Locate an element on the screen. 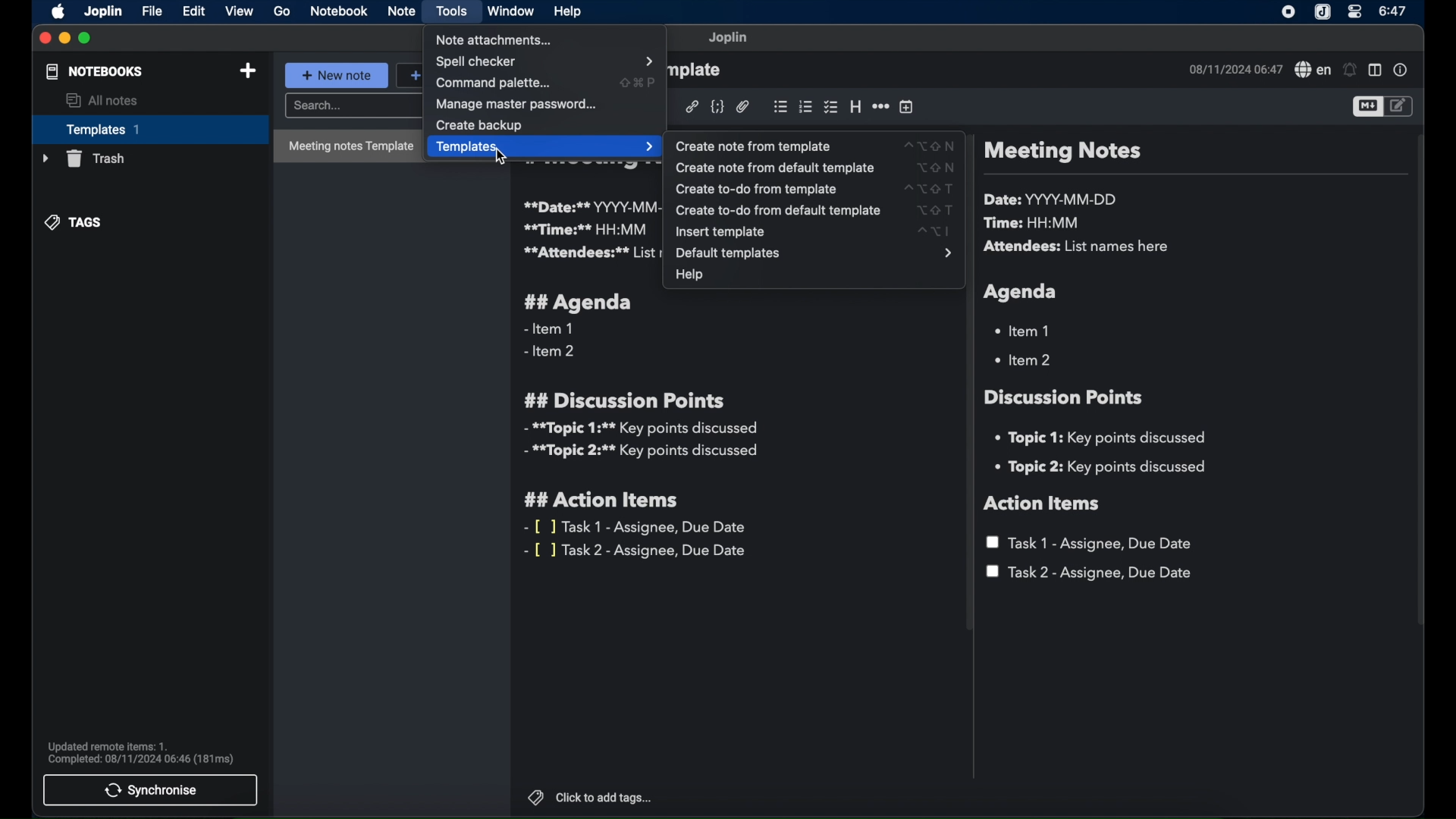  toggle editor is located at coordinates (1365, 108).